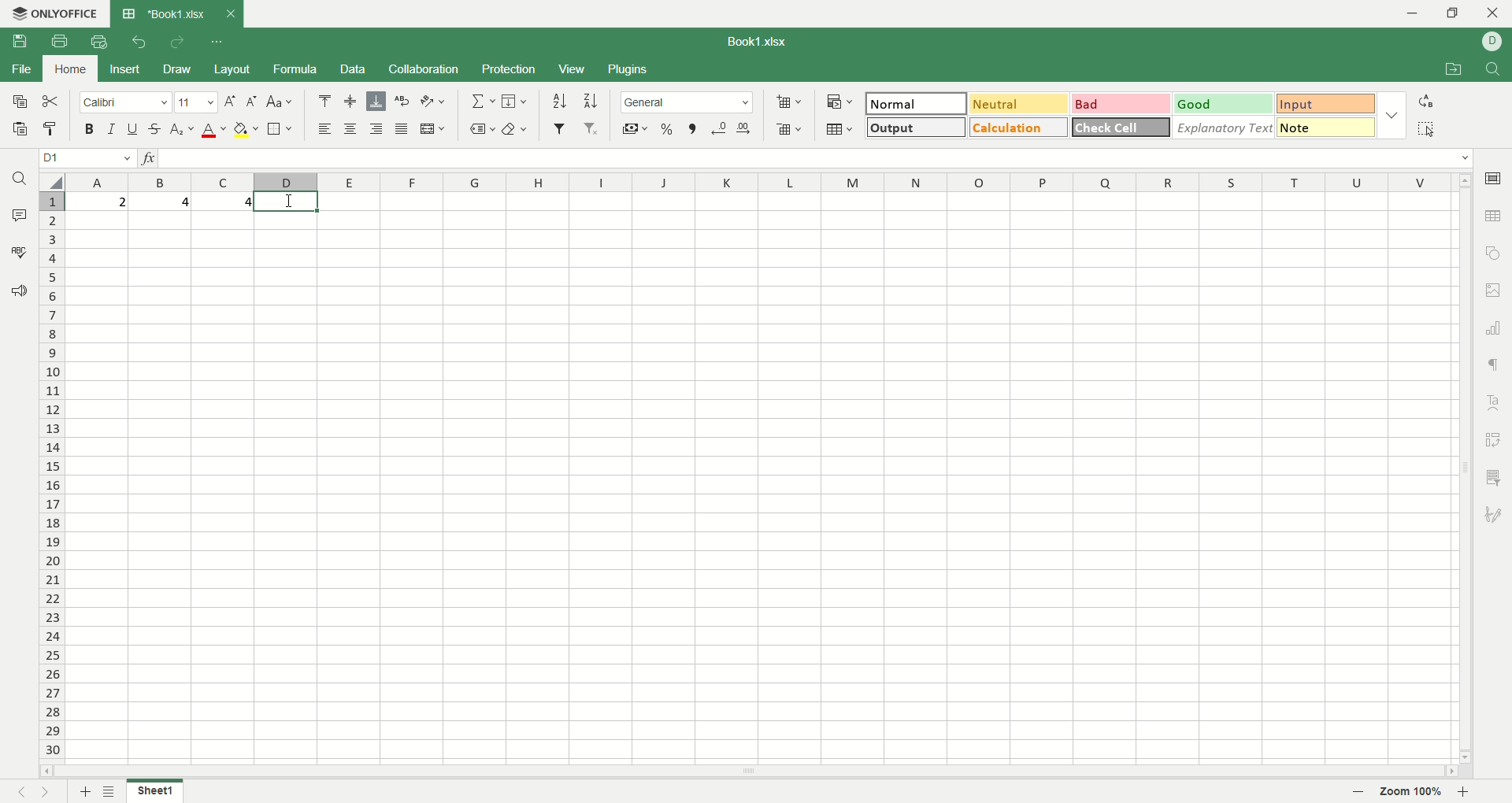 The width and height of the screenshot is (1512, 803). What do you see at coordinates (915, 128) in the screenshot?
I see `output` at bounding box center [915, 128].